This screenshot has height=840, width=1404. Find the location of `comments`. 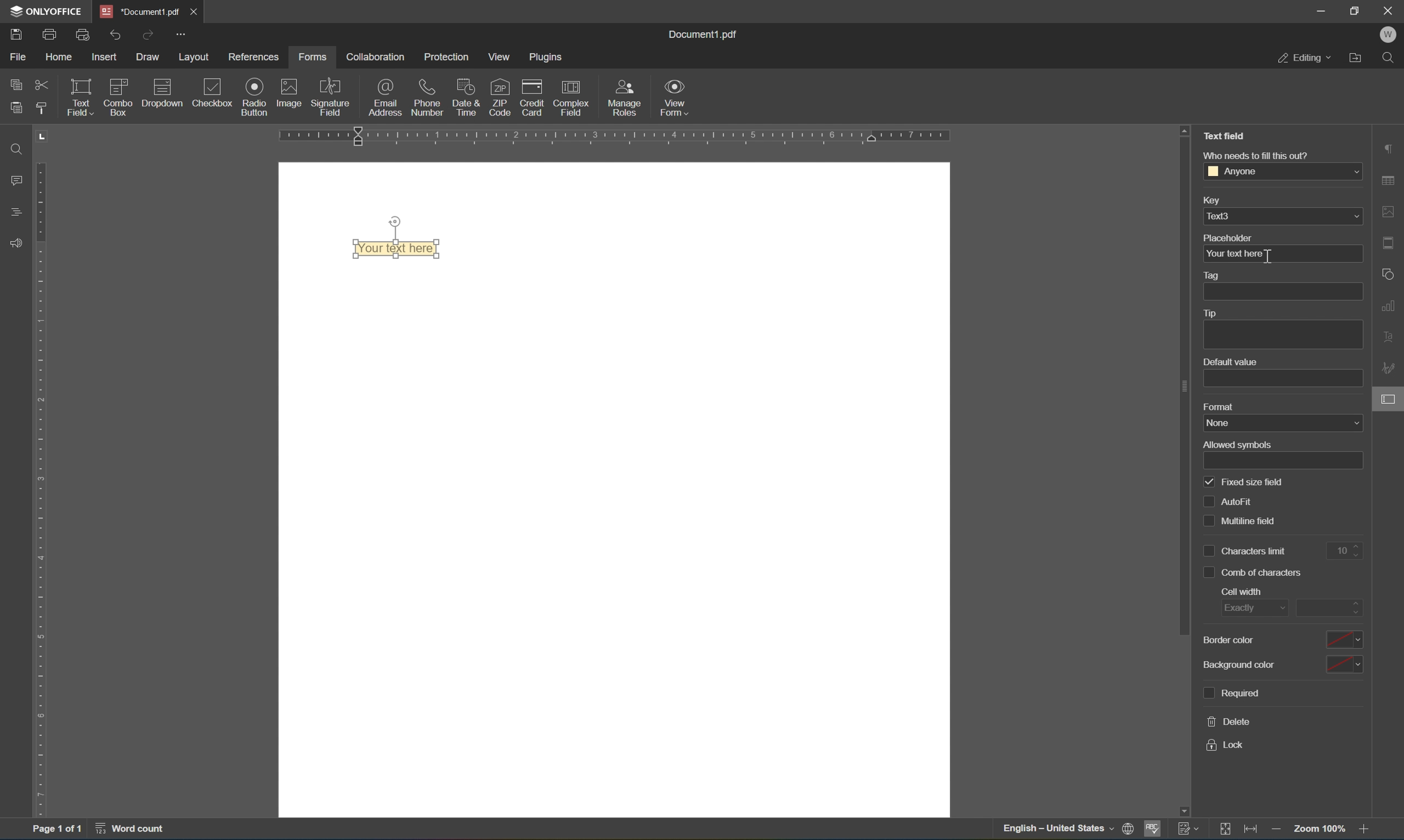

comments is located at coordinates (19, 179).